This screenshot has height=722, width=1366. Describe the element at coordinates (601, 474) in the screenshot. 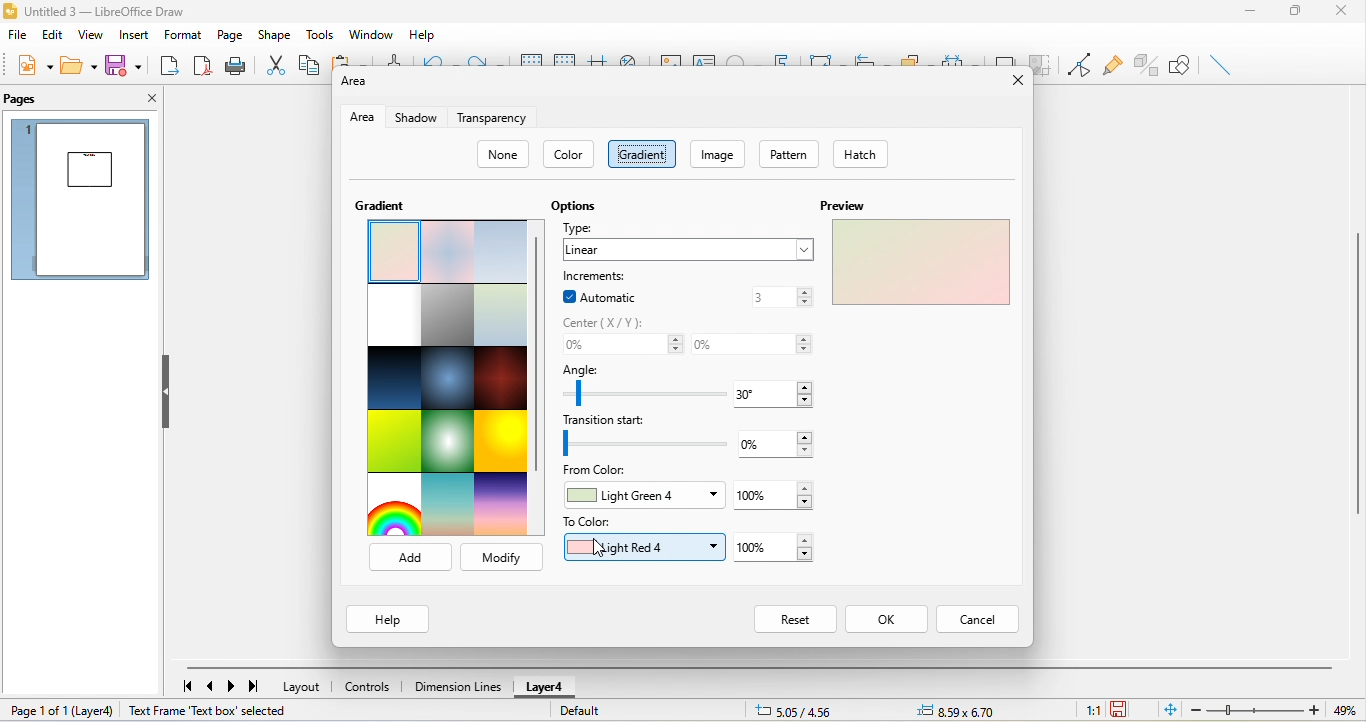

I see `from color` at that location.